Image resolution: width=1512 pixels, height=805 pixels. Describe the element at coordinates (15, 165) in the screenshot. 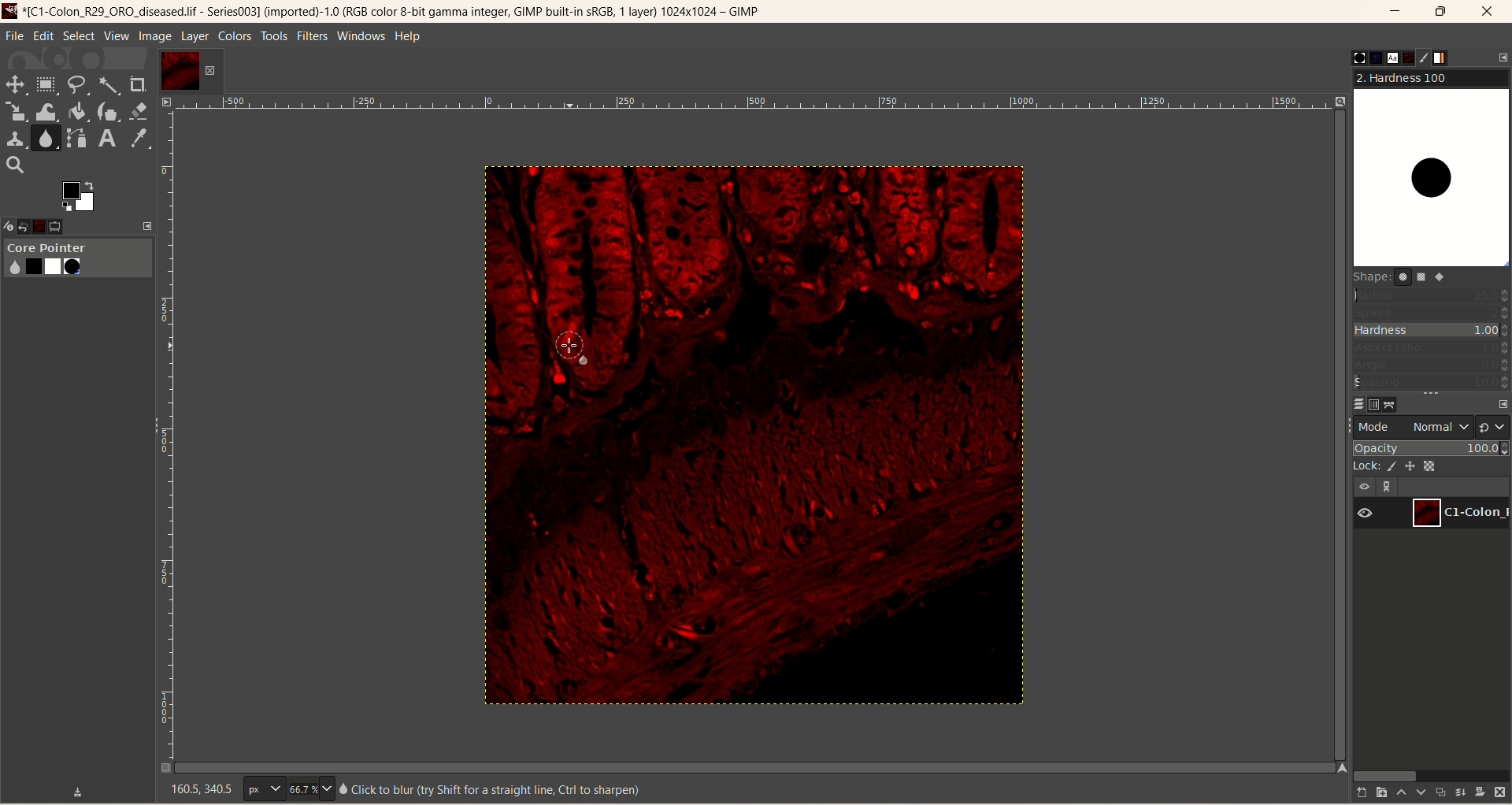

I see `search` at that location.